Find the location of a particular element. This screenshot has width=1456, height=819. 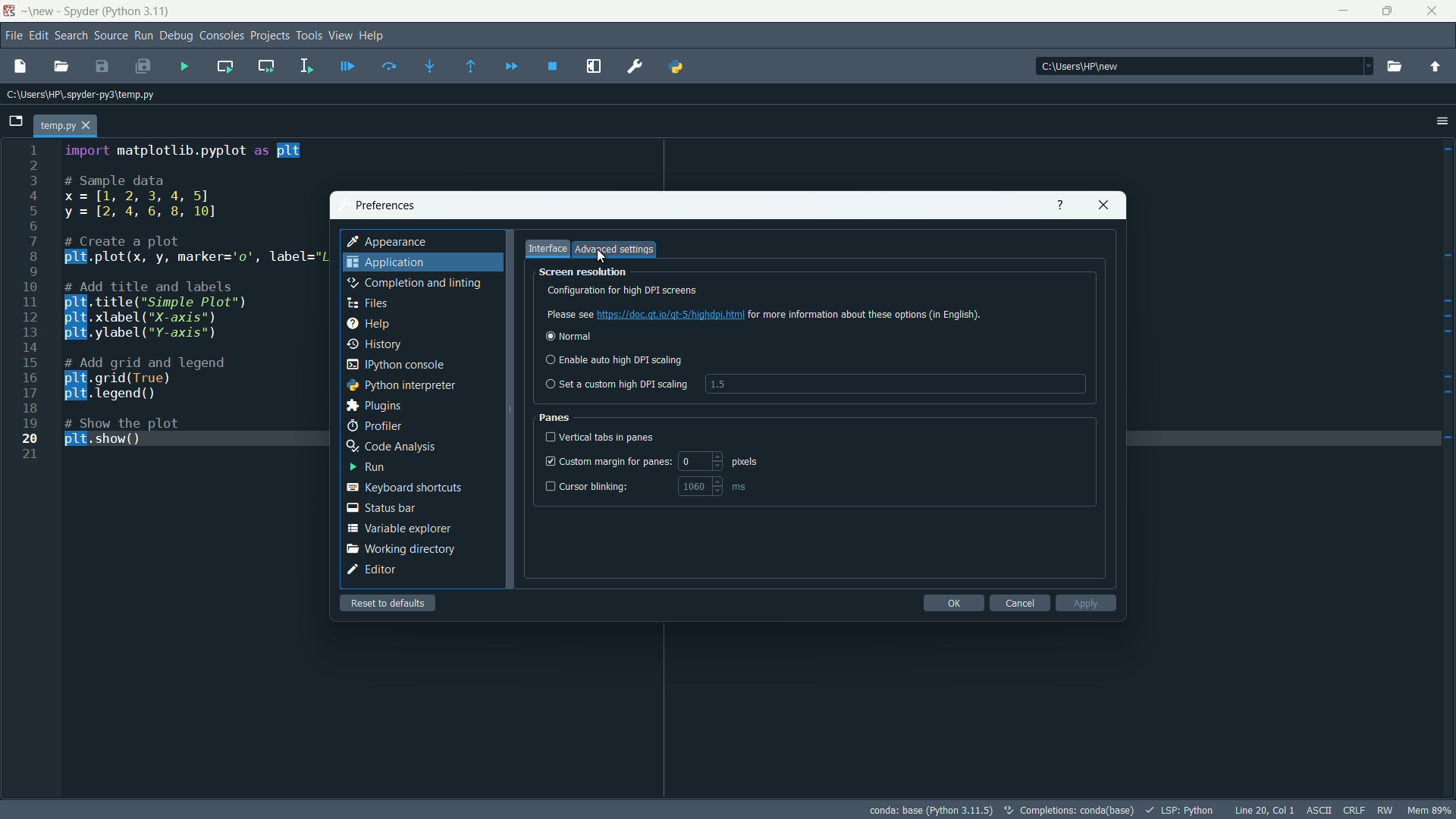

editor is located at coordinates (372, 570).